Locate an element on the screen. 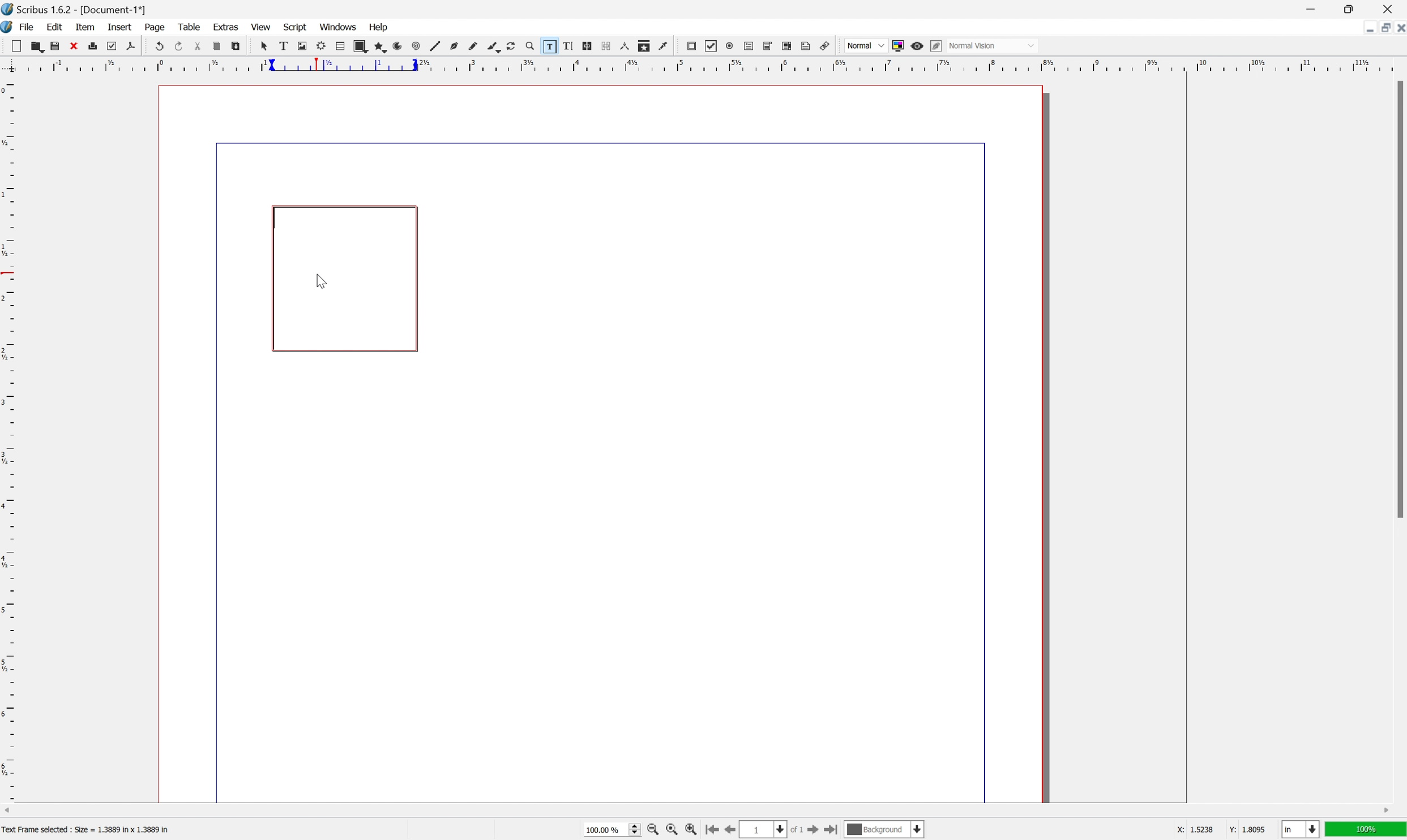 The image size is (1407, 840). line is located at coordinates (435, 47).